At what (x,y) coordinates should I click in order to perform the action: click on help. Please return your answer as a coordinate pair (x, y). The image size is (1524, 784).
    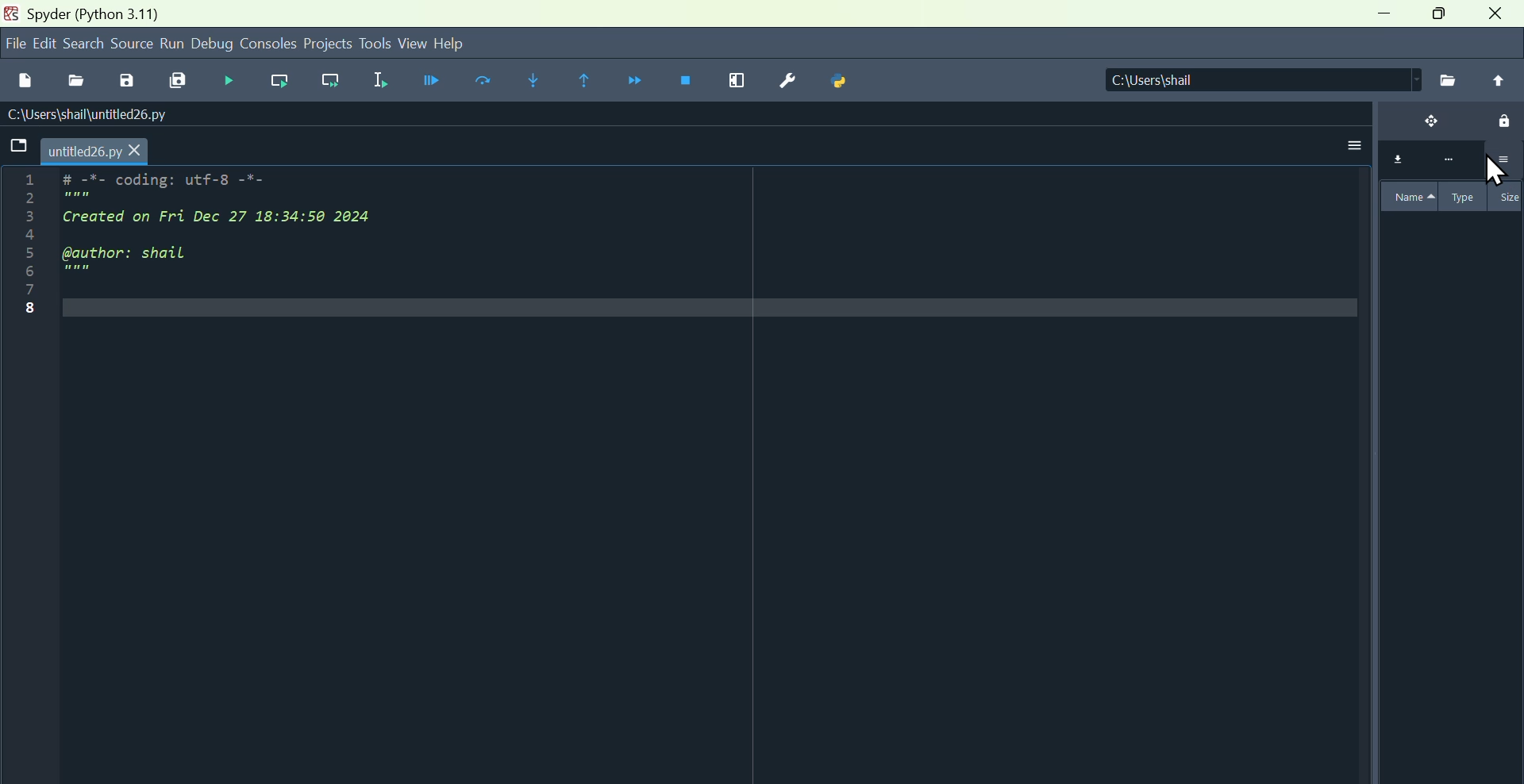
    Looking at the image, I should click on (470, 41).